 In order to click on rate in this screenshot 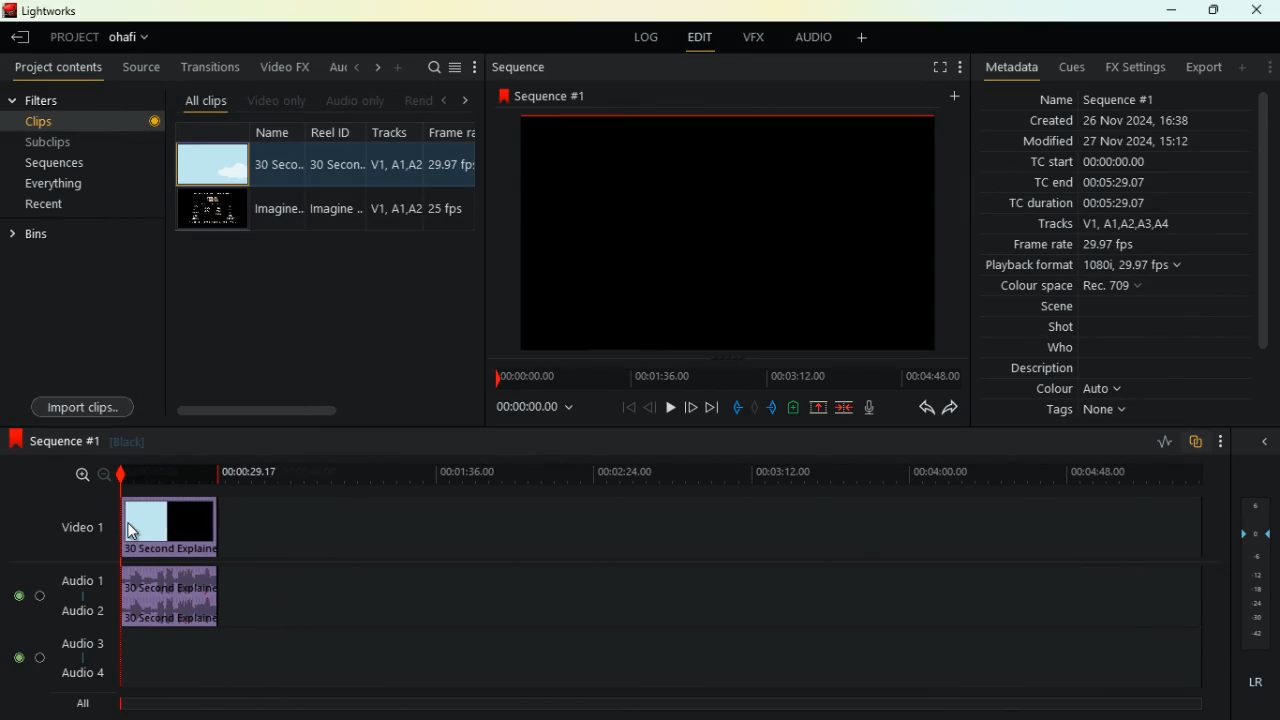, I will do `click(1163, 443)`.